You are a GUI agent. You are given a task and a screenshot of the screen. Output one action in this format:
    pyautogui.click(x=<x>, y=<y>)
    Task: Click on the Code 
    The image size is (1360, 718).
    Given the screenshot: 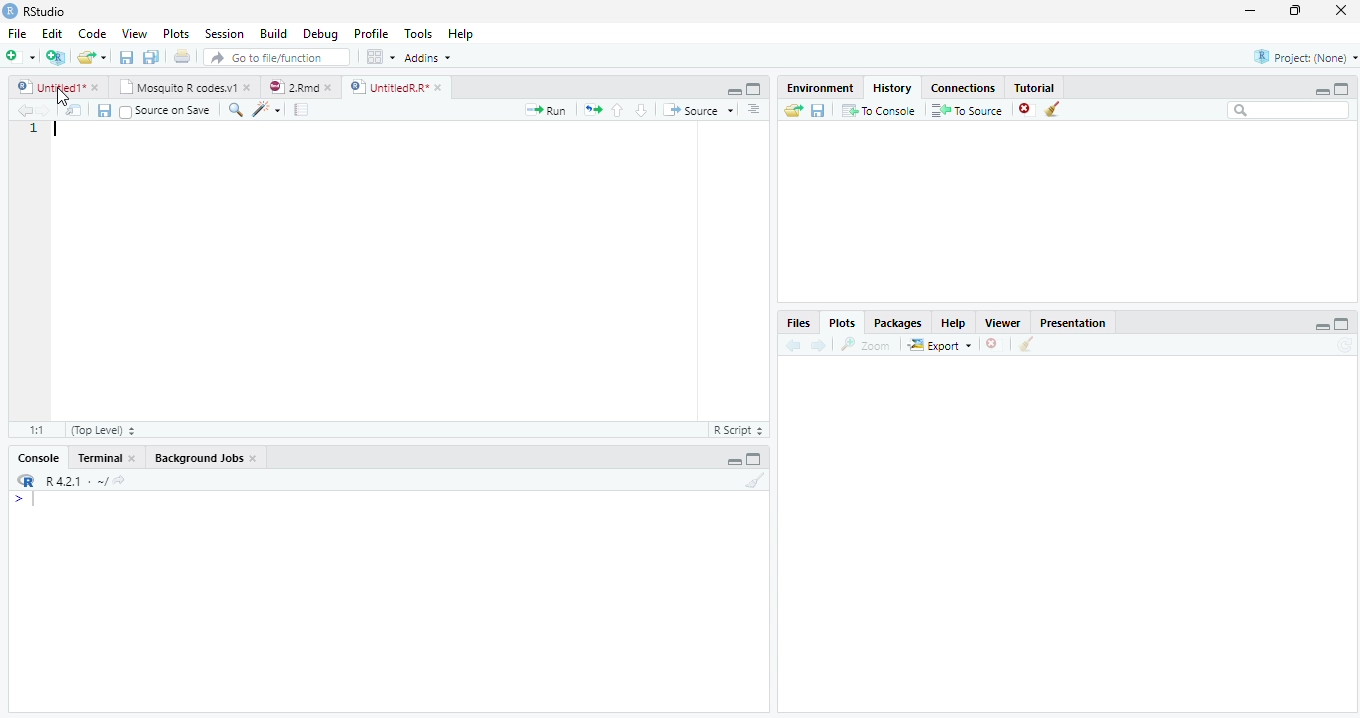 What is the action you would take?
    pyautogui.click(x=269, y=110)
    